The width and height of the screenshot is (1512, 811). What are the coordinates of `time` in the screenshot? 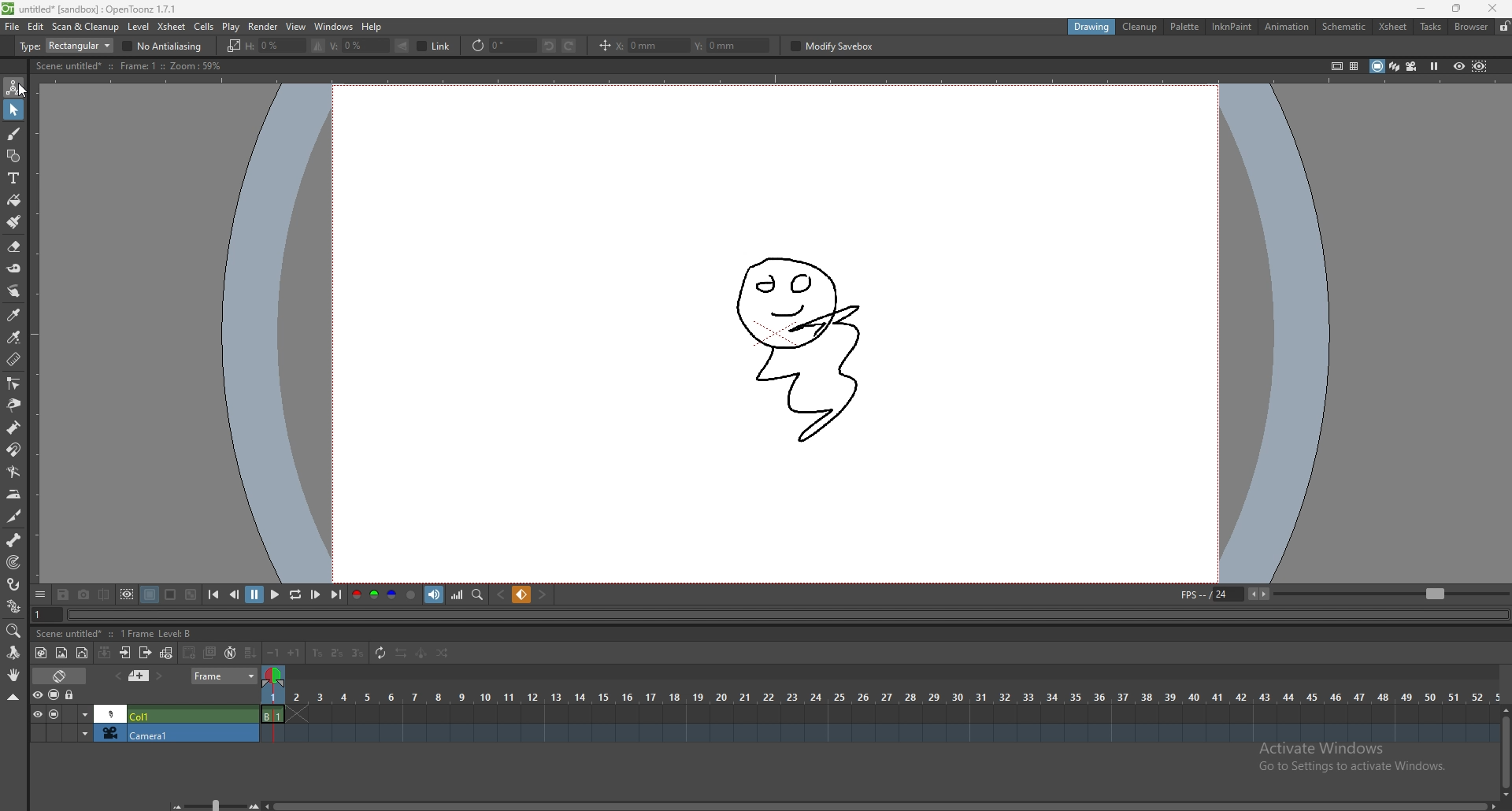 It's located at (880, 694).